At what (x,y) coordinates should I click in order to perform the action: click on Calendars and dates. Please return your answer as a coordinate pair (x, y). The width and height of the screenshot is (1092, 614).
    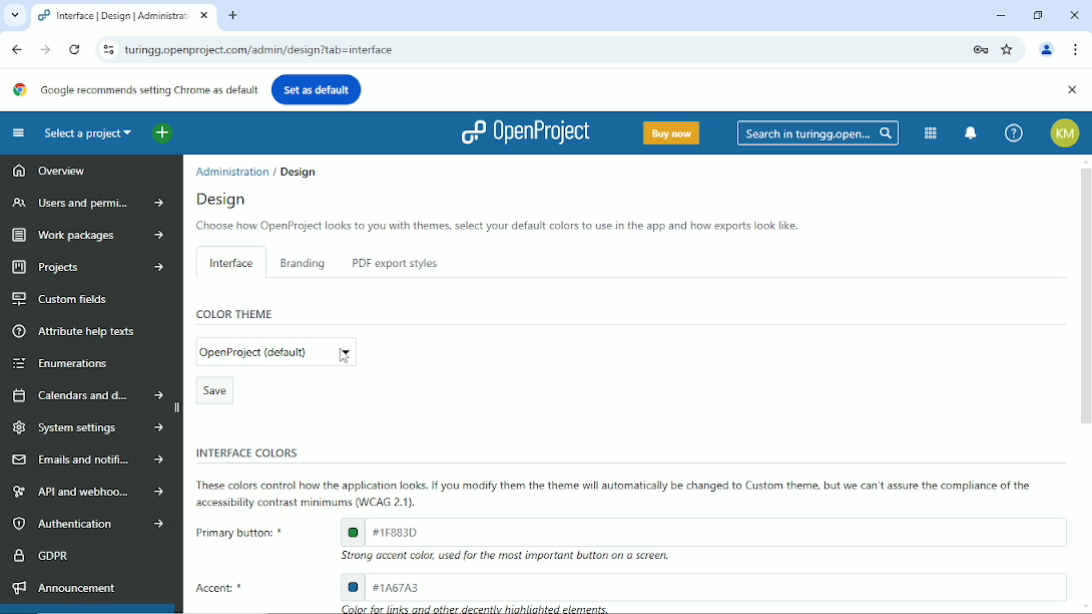
    Looking at the image, I should click on (87, 393).